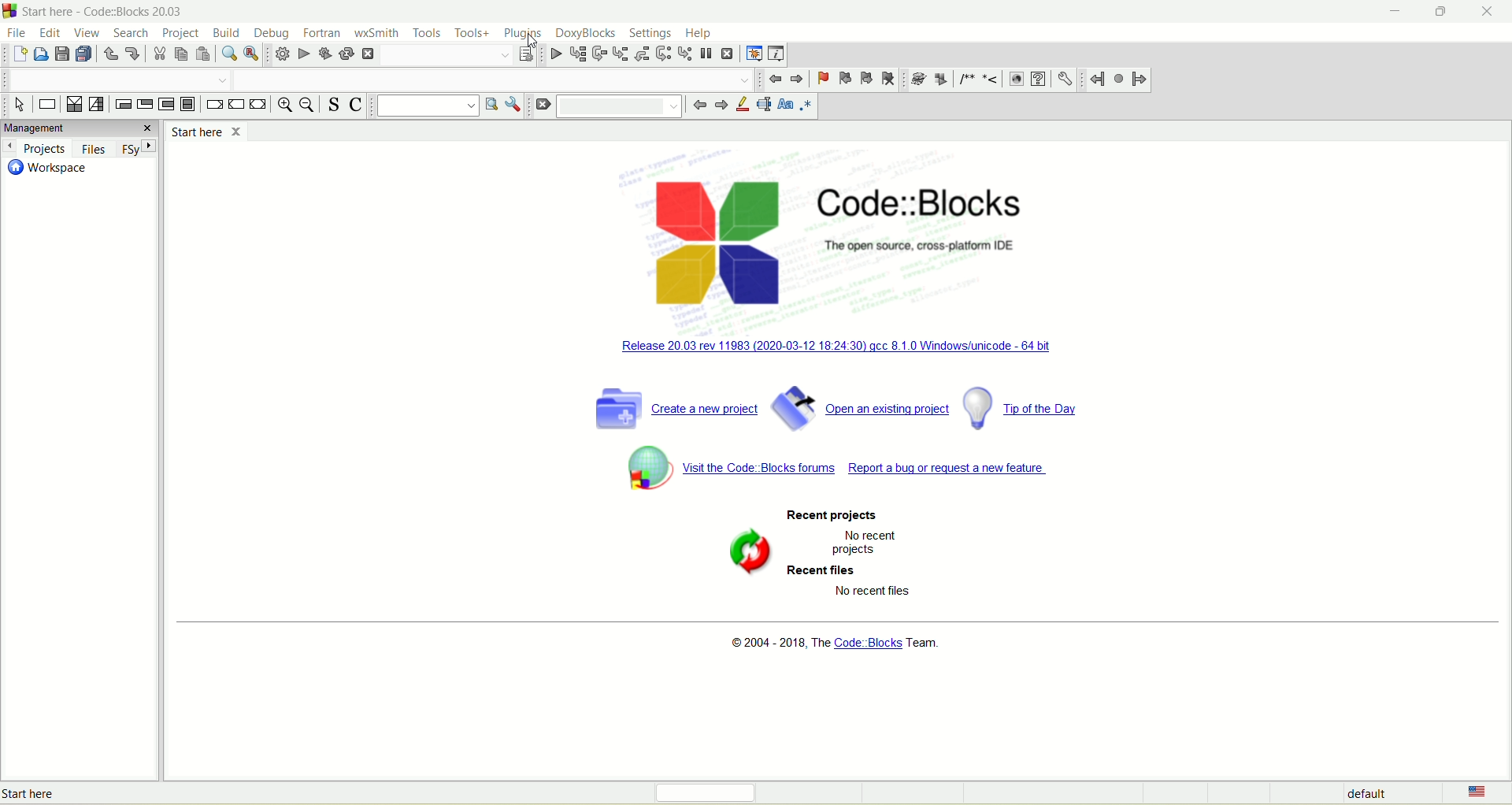 The image size is (1512, 805). I want to click on build, so click(280, 55).